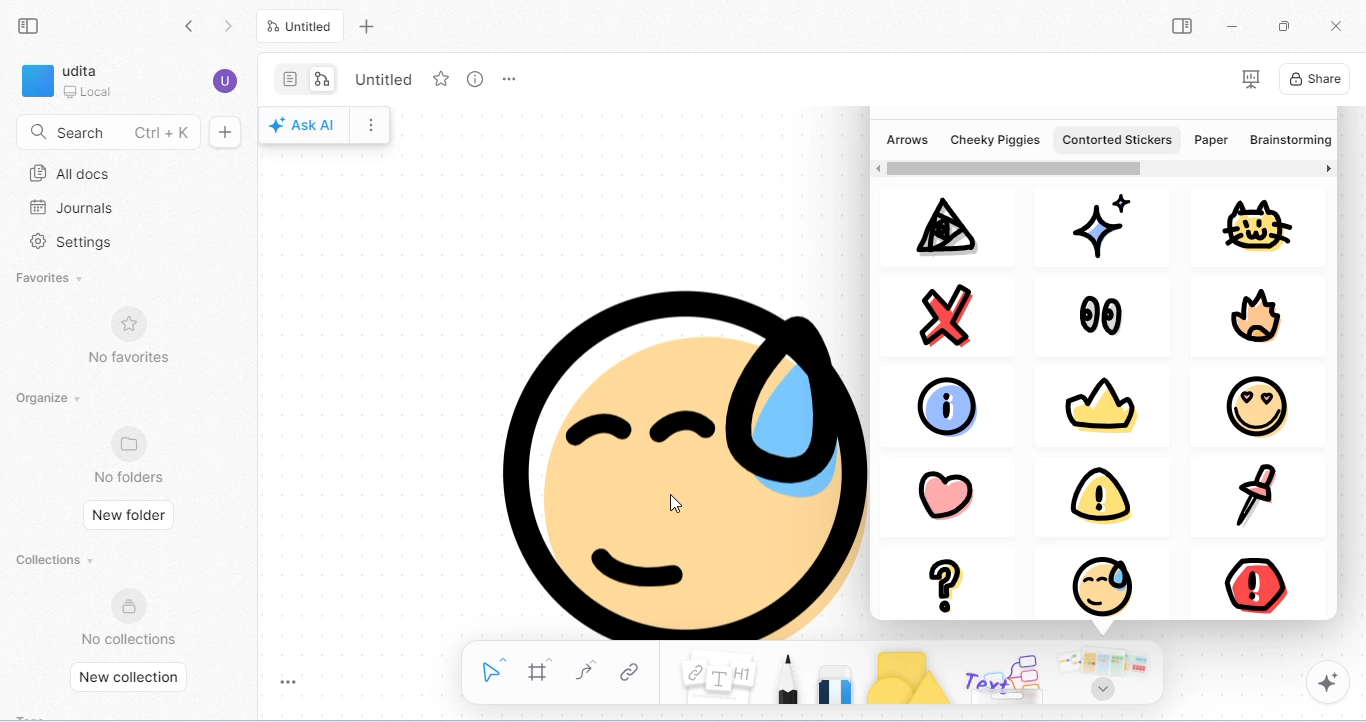  What do you see at coordinates (1315, 78) in the screenshot?
I see `share` at bounding box center [1315, 78].